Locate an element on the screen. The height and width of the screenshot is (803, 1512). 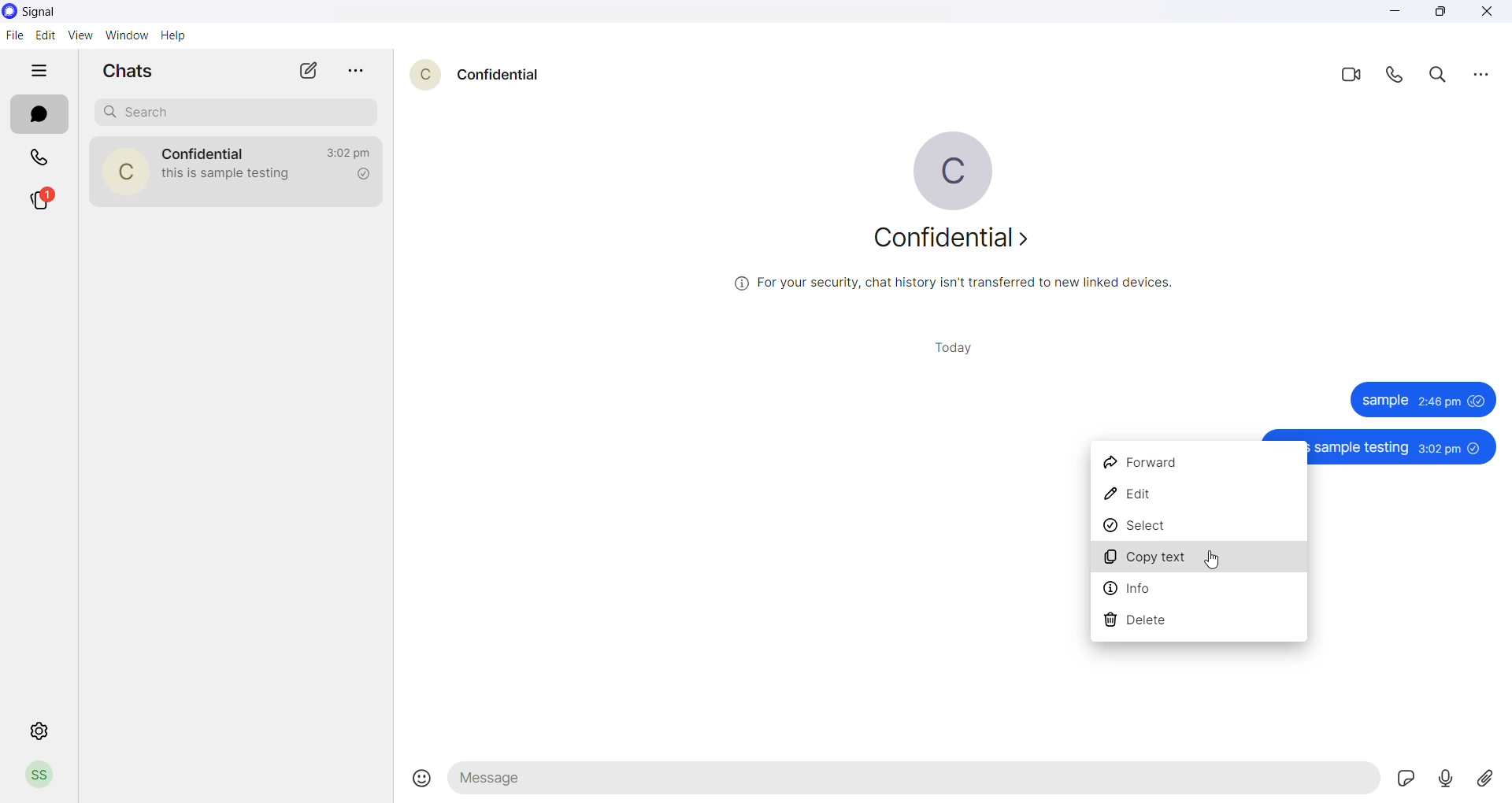
last active message is located at coordinates (346, 154).